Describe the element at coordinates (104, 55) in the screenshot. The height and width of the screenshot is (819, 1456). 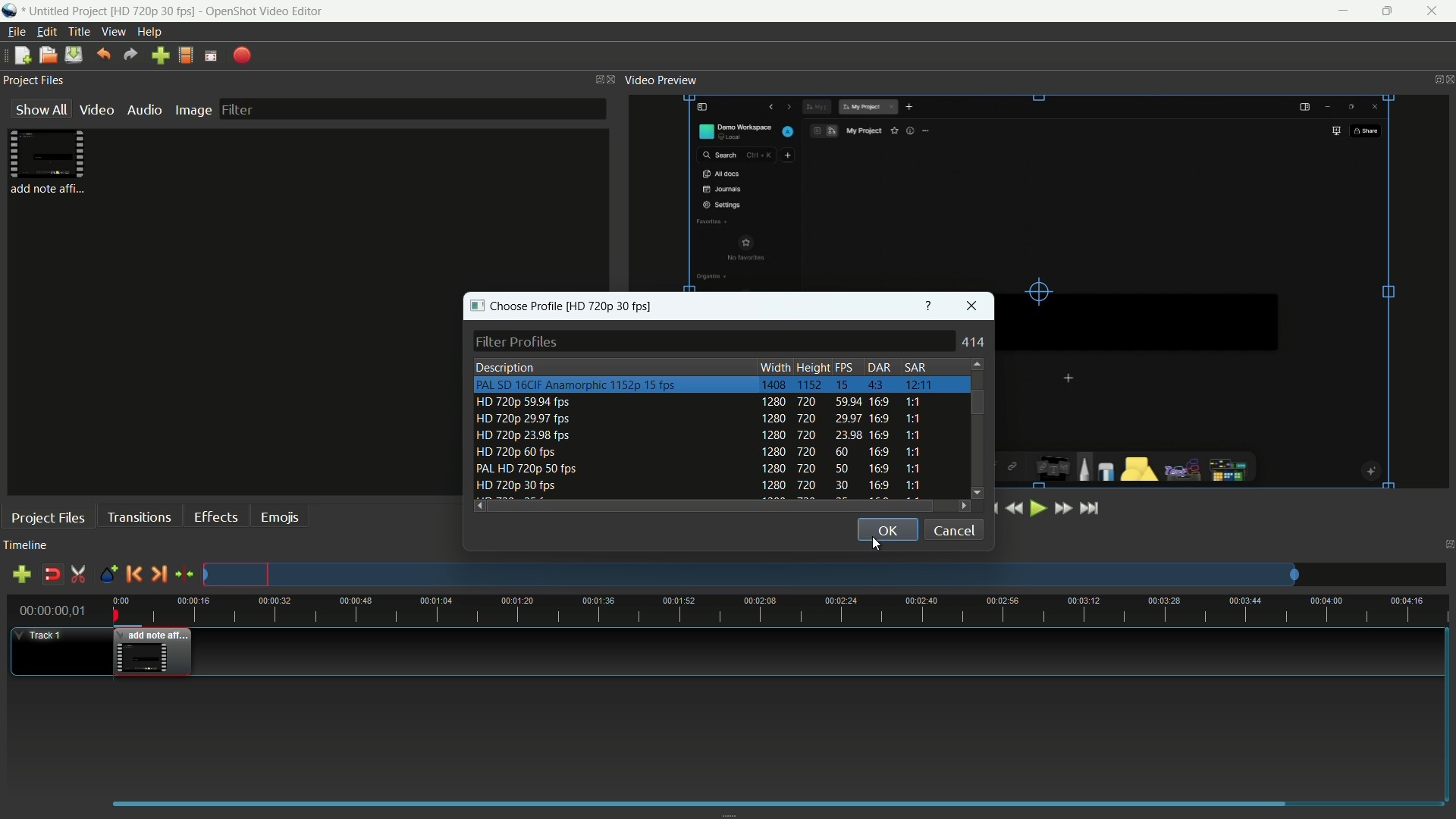
I see `undo` at that location.